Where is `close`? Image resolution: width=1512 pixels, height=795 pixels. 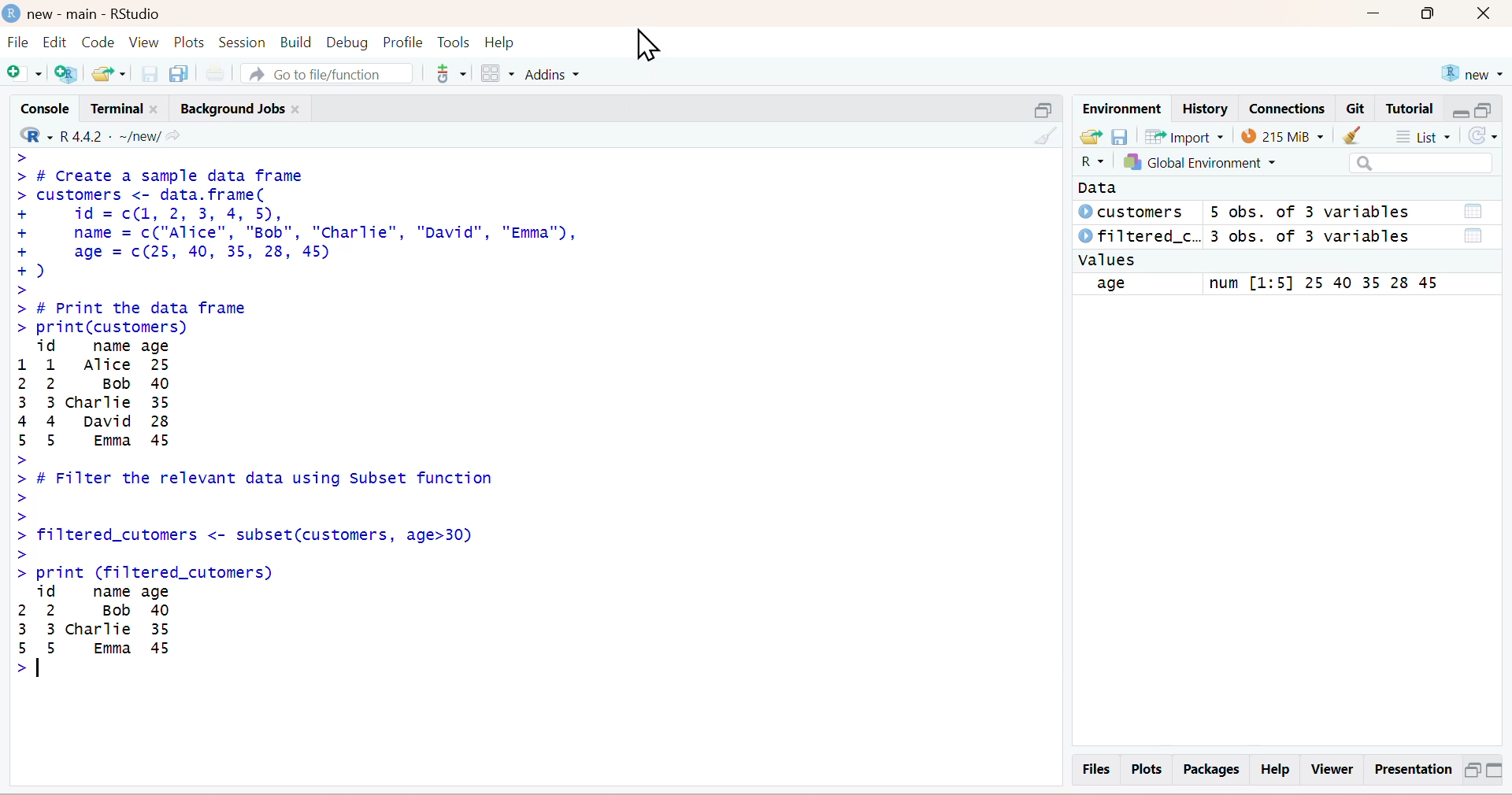 close is located at coordinates (1490, 15).